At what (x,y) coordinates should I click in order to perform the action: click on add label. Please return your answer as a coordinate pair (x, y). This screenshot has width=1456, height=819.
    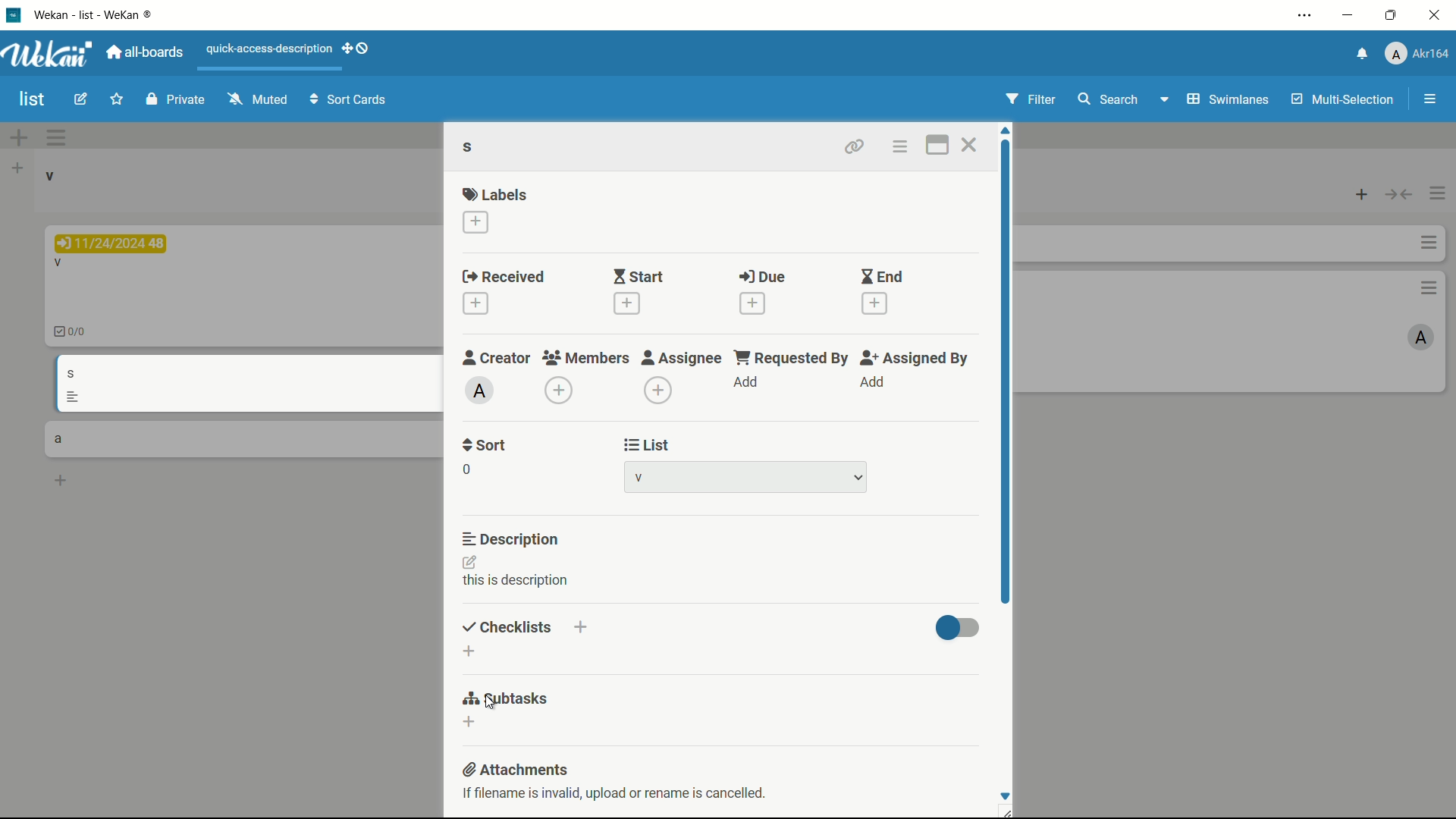
    Looking at the image, I should click on (475, 222).